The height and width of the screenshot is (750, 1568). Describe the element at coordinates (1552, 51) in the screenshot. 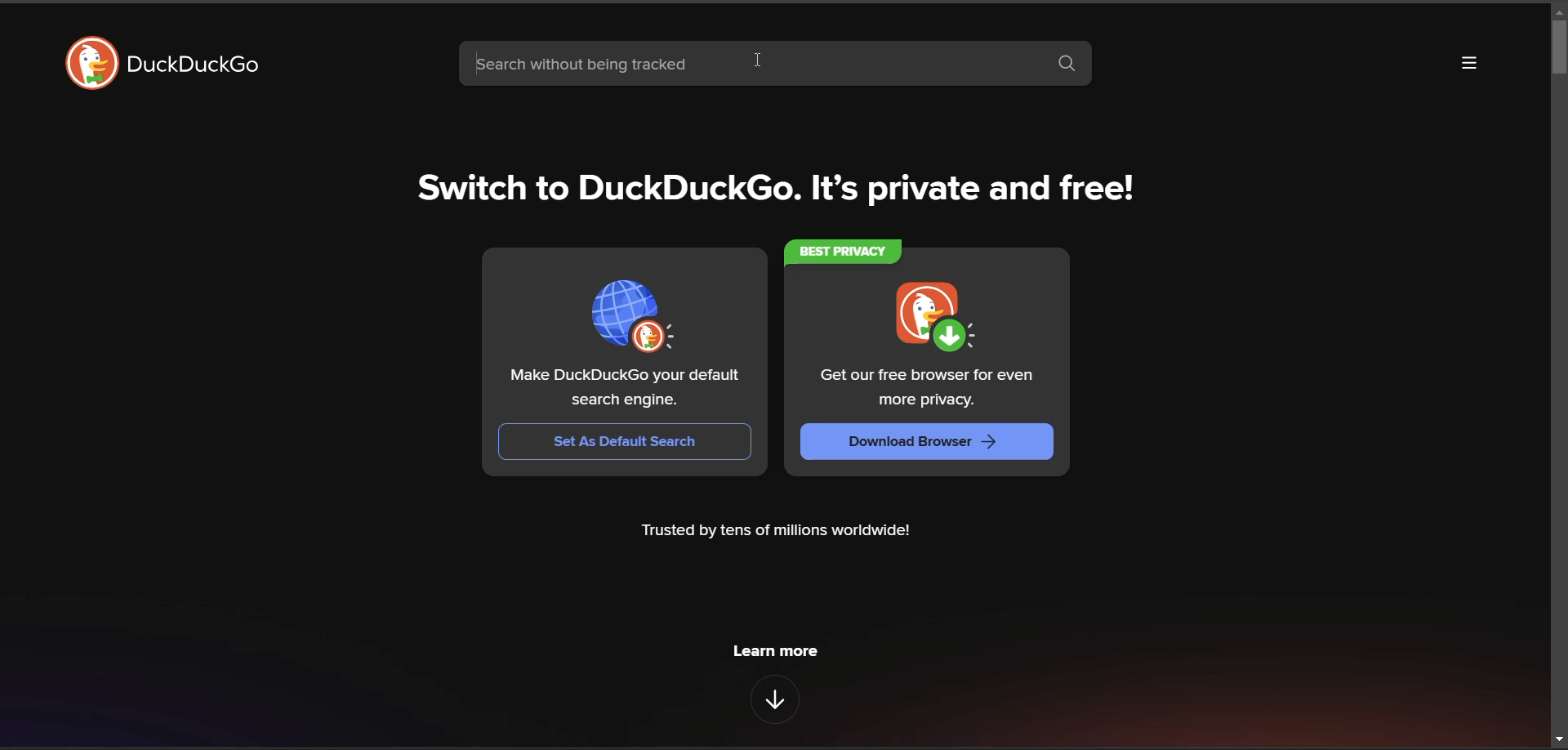

I see `vertical scroll bar` at that location.